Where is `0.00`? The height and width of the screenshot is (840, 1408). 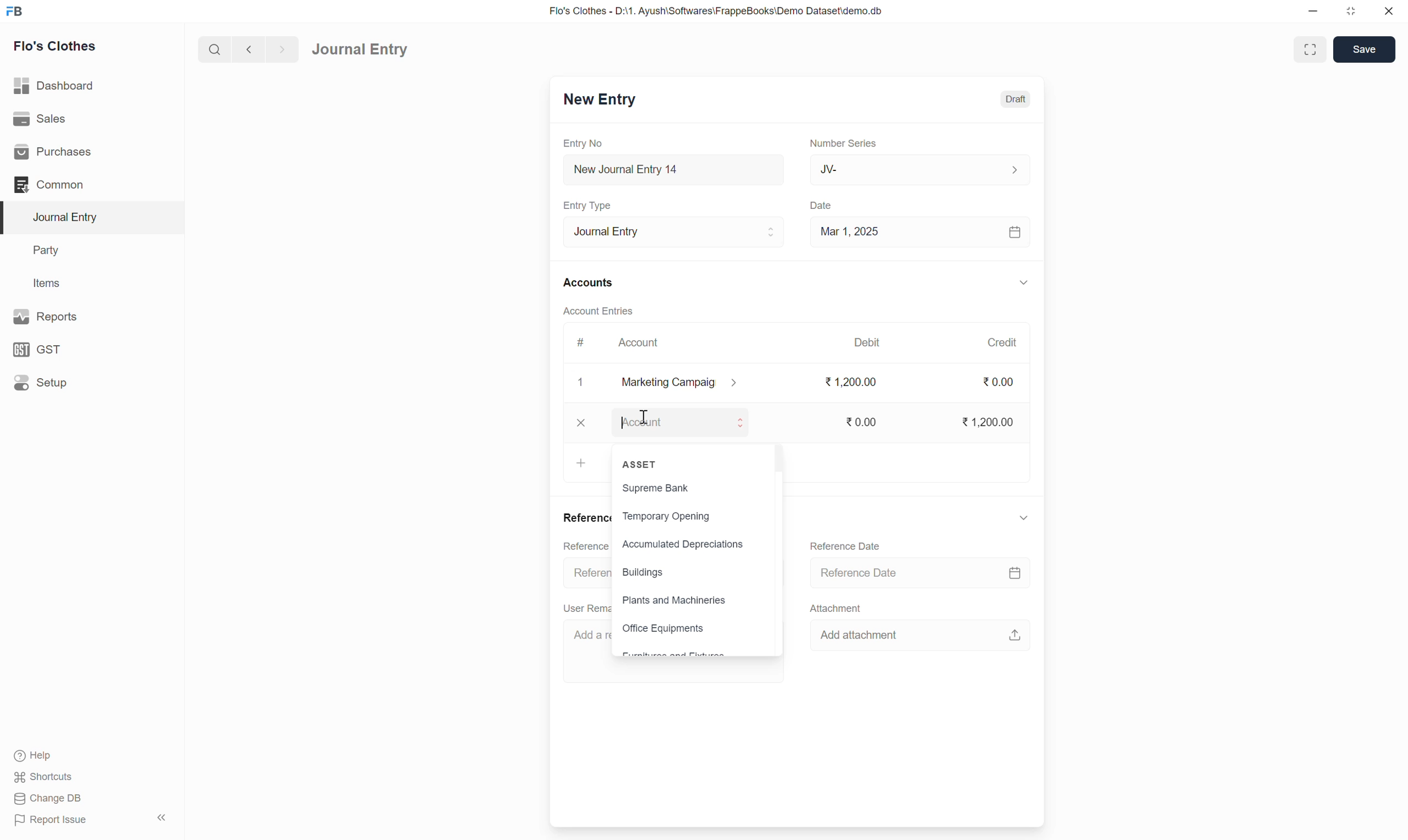 0.00 is located at coordinates (863, 422).